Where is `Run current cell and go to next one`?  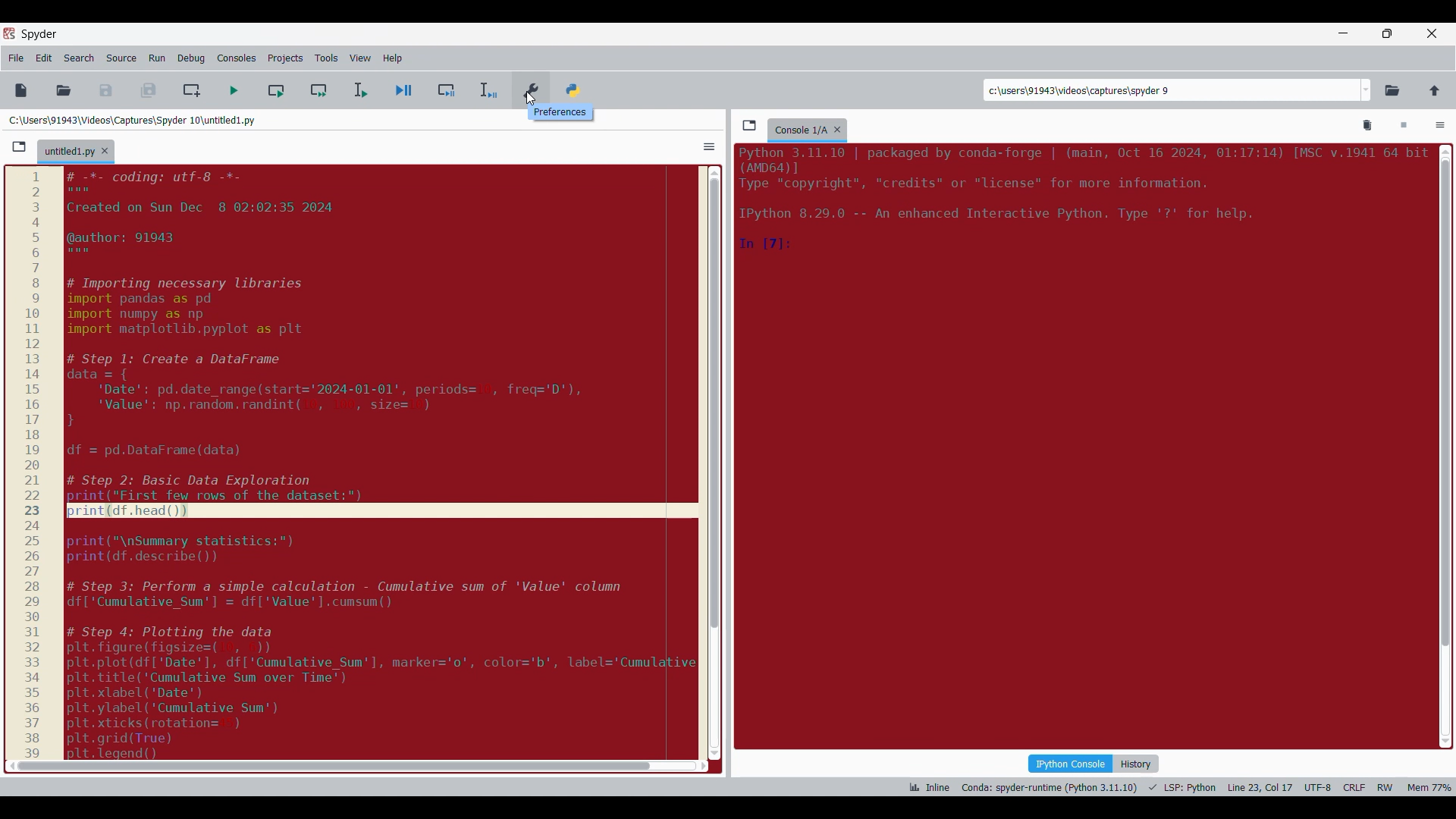 Run current cell and go to next one is located at coordinates (318, 90).